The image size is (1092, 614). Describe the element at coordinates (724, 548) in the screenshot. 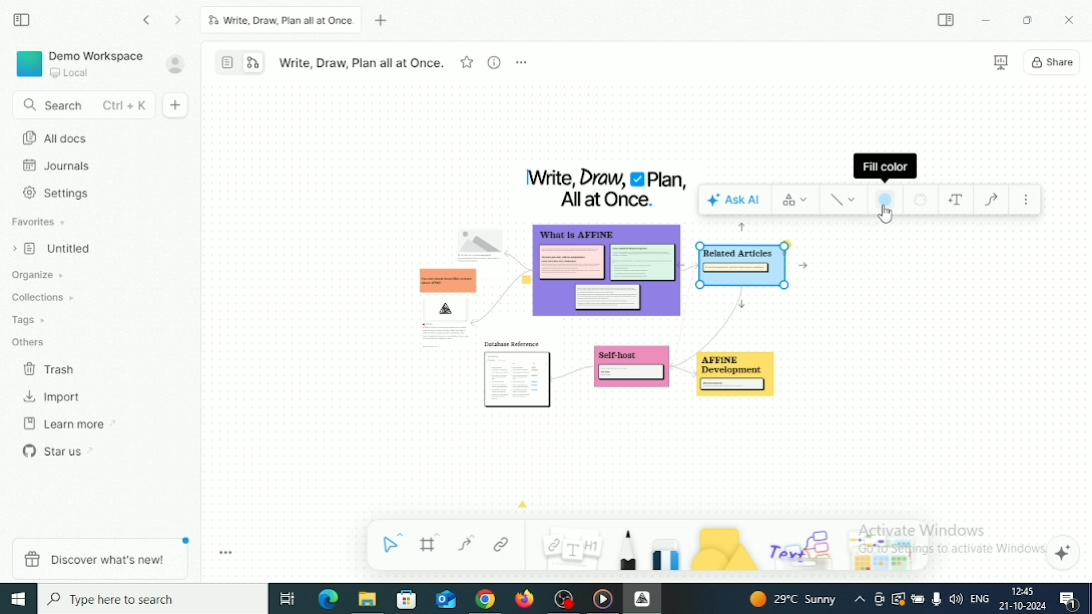

I see `Shape` at that location.